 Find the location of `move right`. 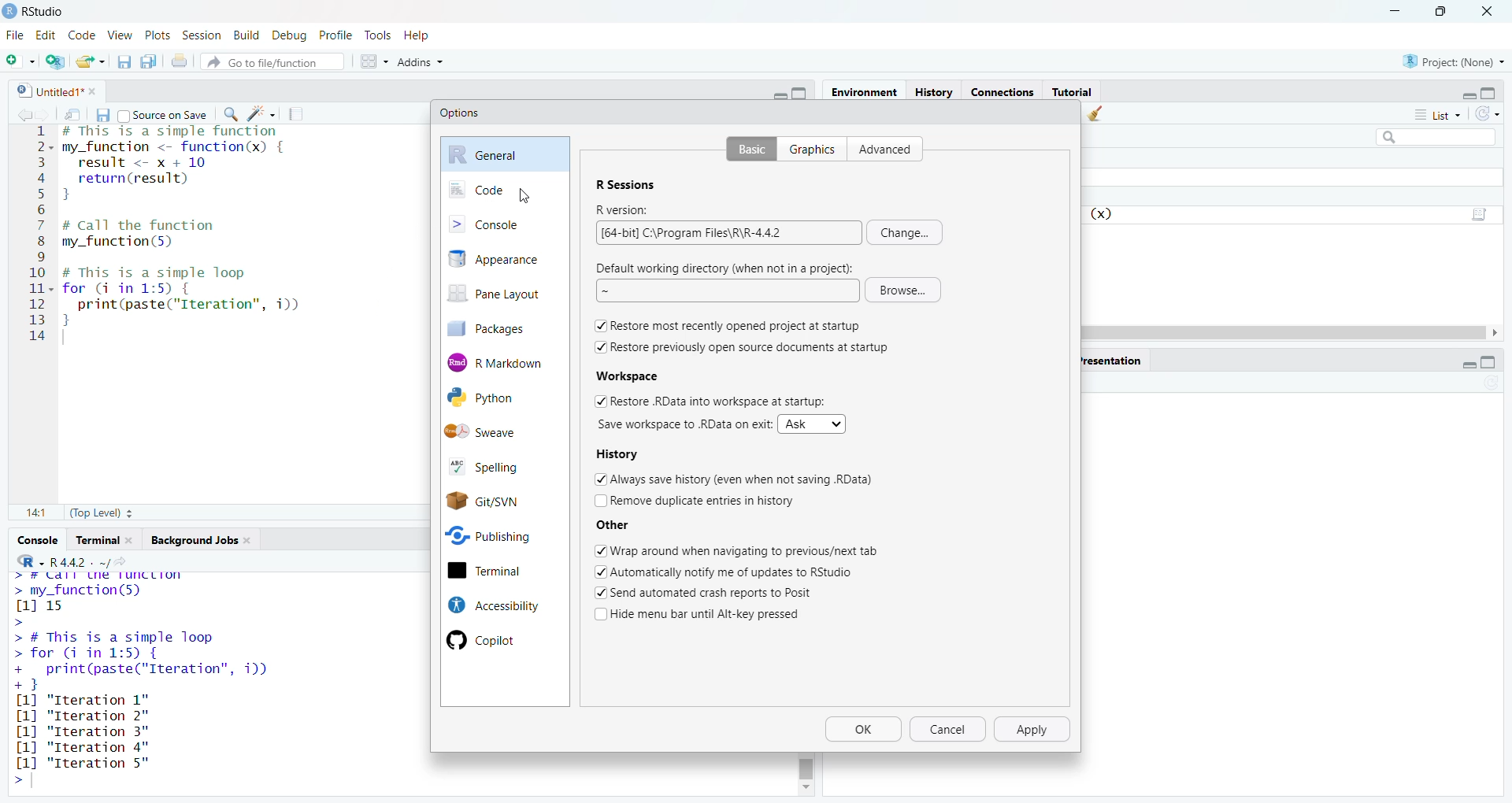

move right is located at coordinates (1501, 333).